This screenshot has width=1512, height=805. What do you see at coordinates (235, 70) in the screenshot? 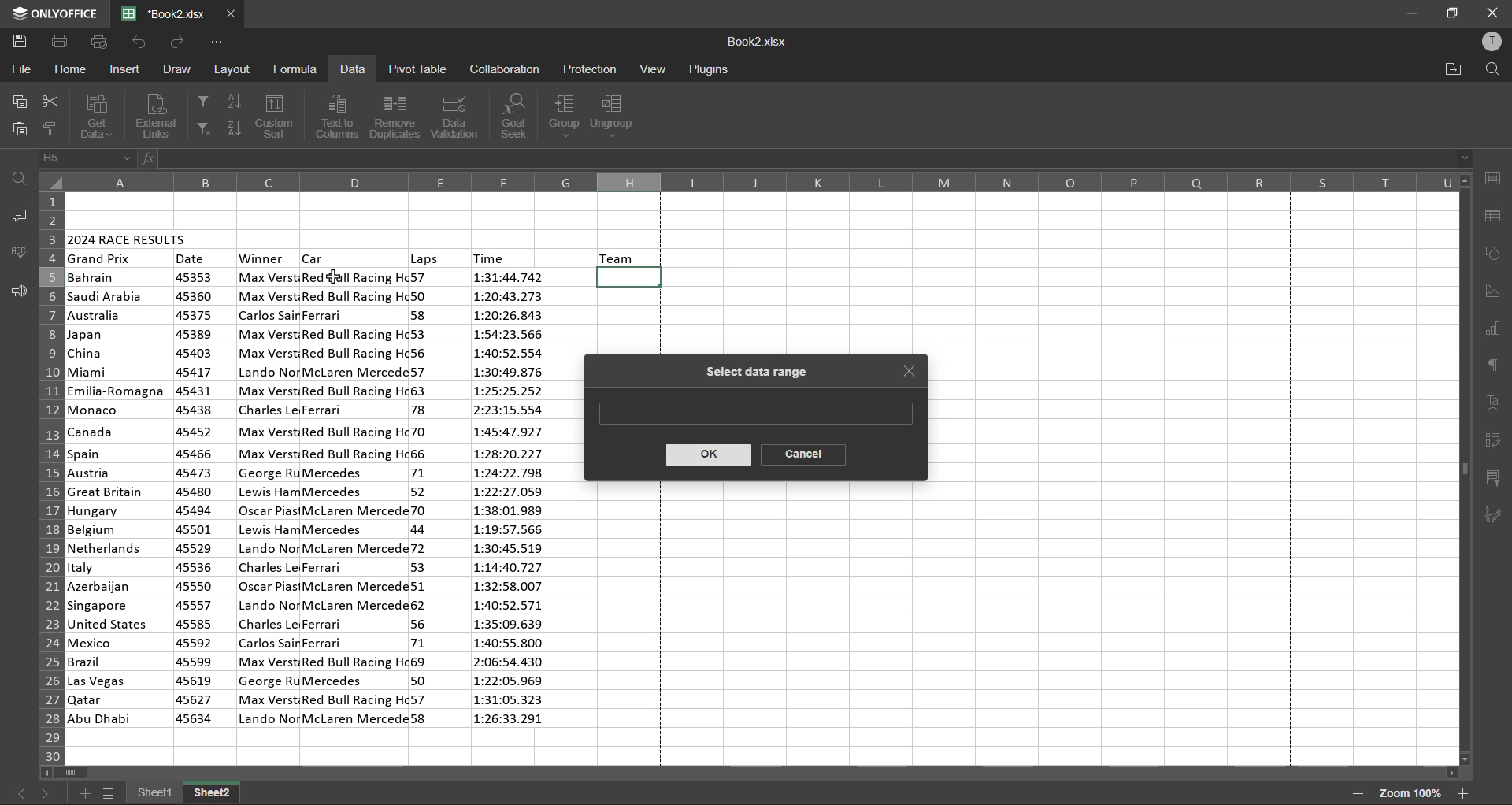
I see `layout` at bounding box center [235, 70].